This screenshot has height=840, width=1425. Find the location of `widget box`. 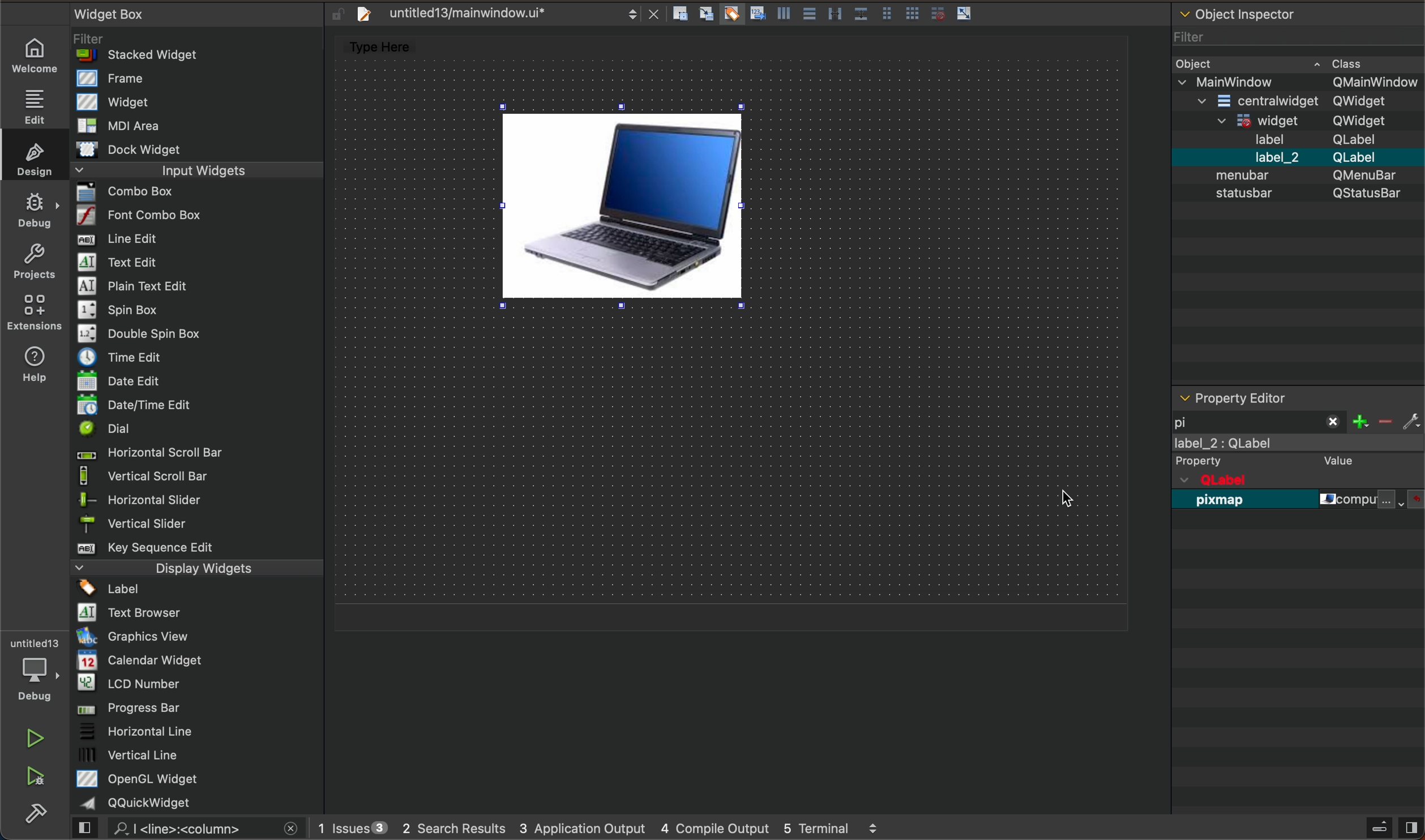

widget box is located at coordinates (202, 408).